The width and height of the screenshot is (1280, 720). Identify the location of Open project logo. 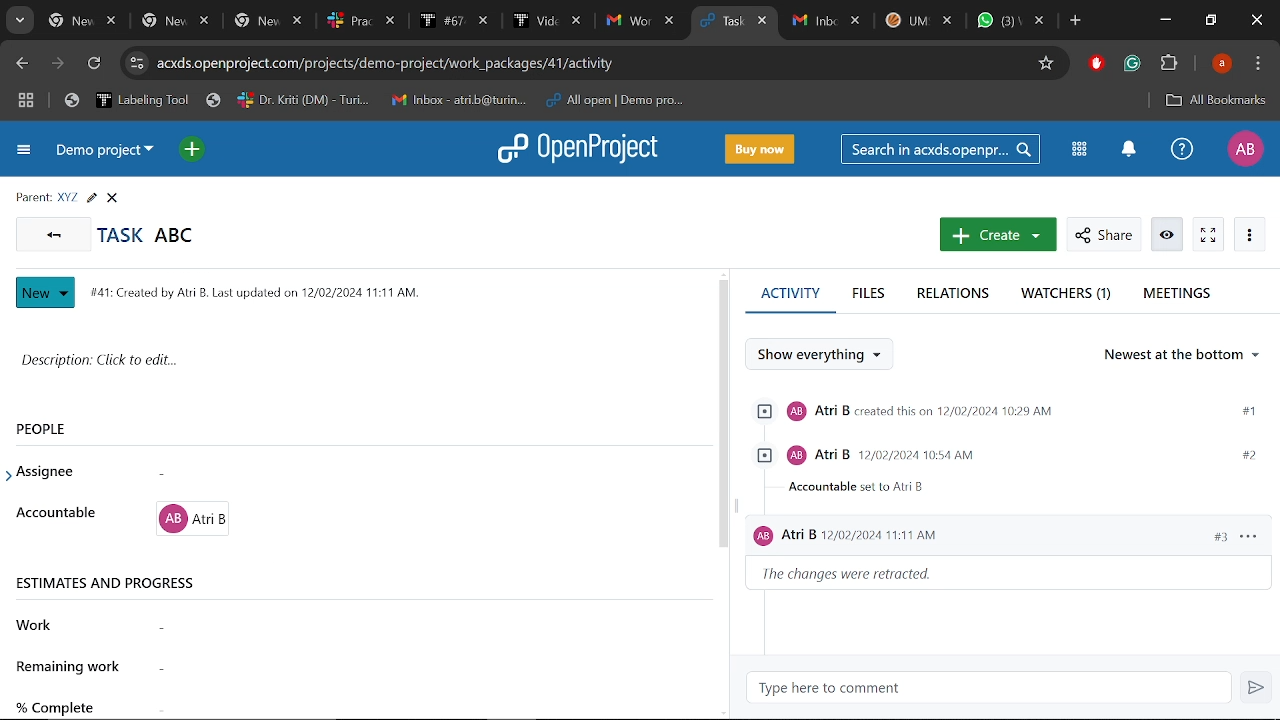
(583, 148).